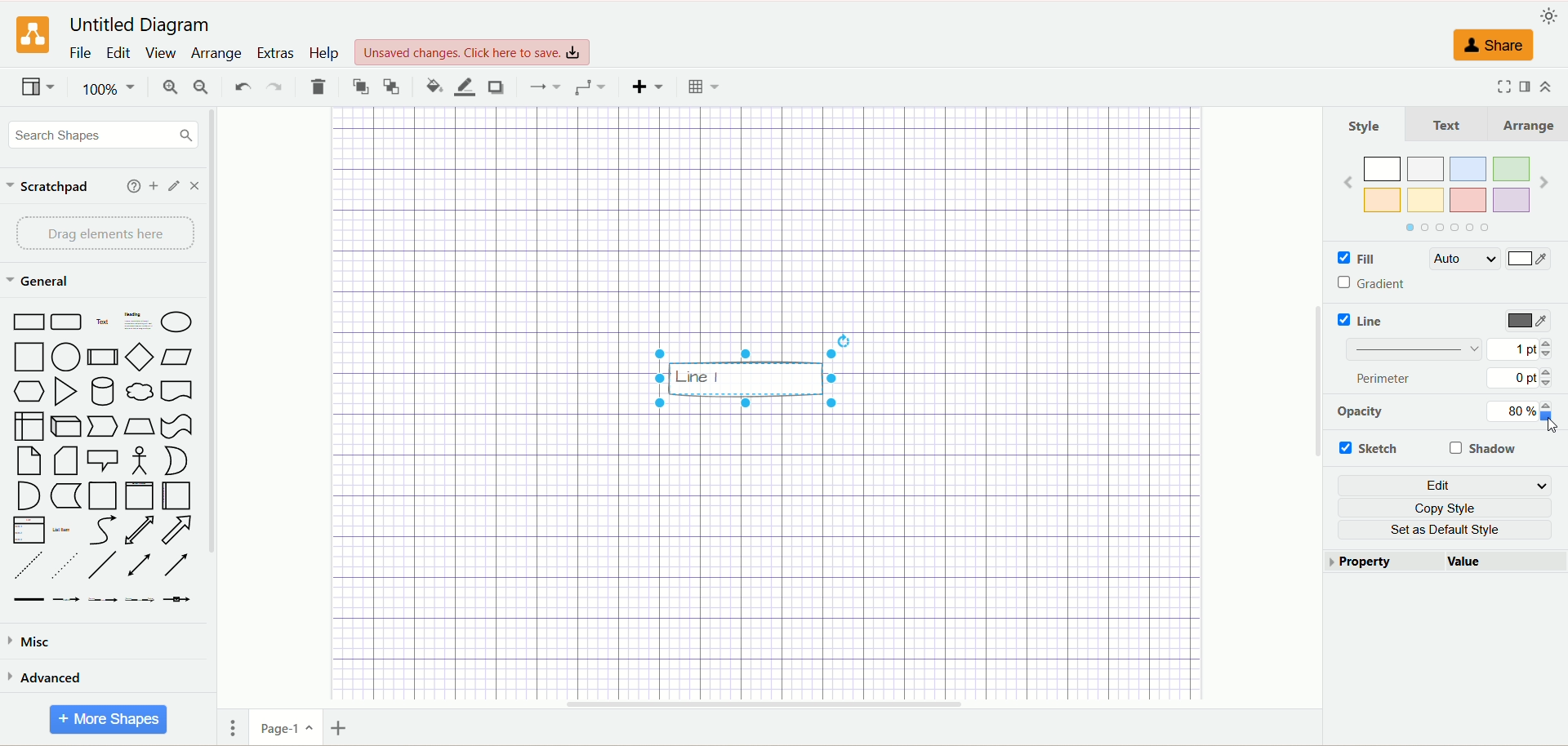  I want to click on connection, so click(542, 85).